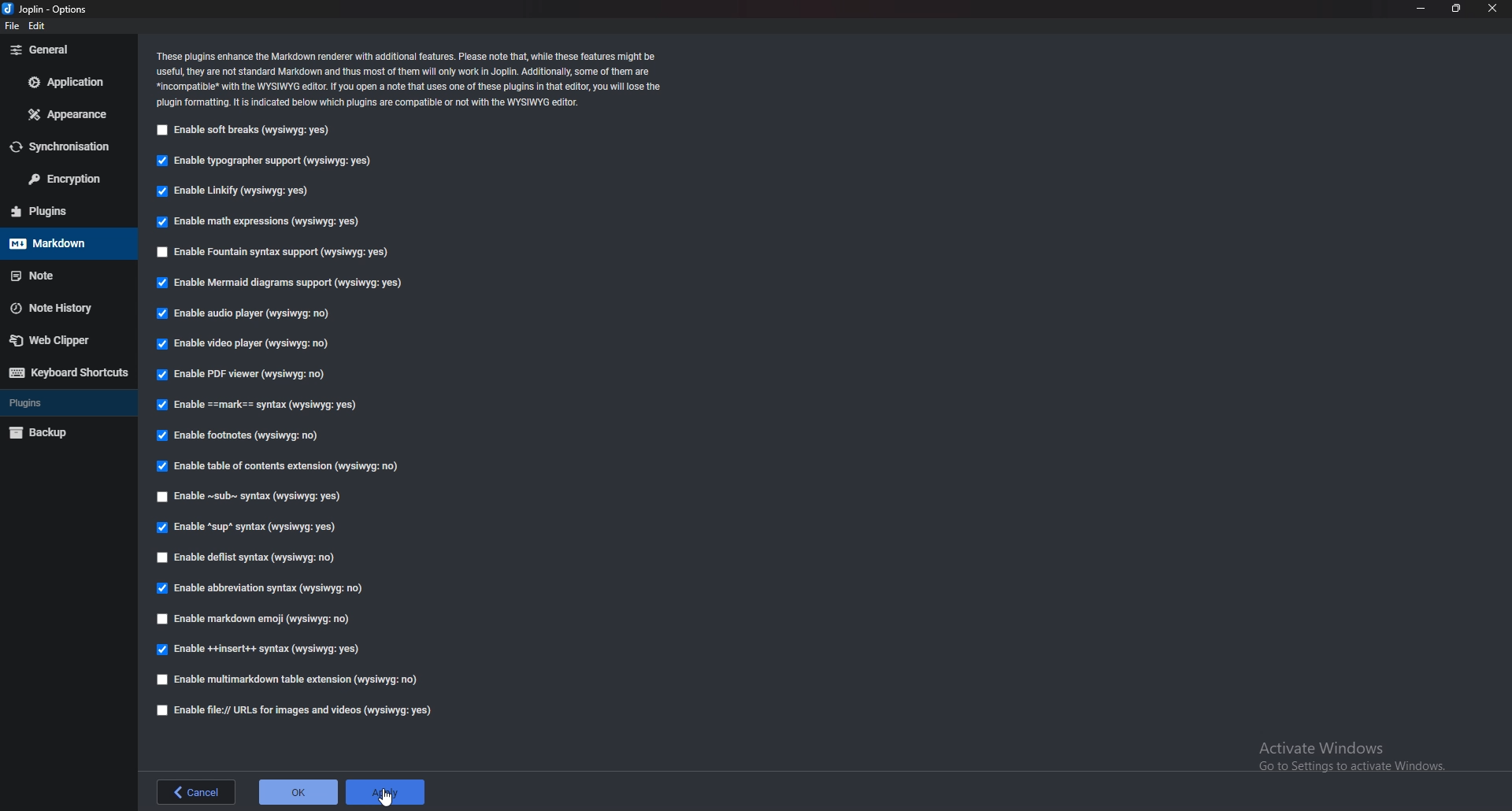 The image size is (1512, 811). I want to click on Enable sub syntax, so click(256, 495).